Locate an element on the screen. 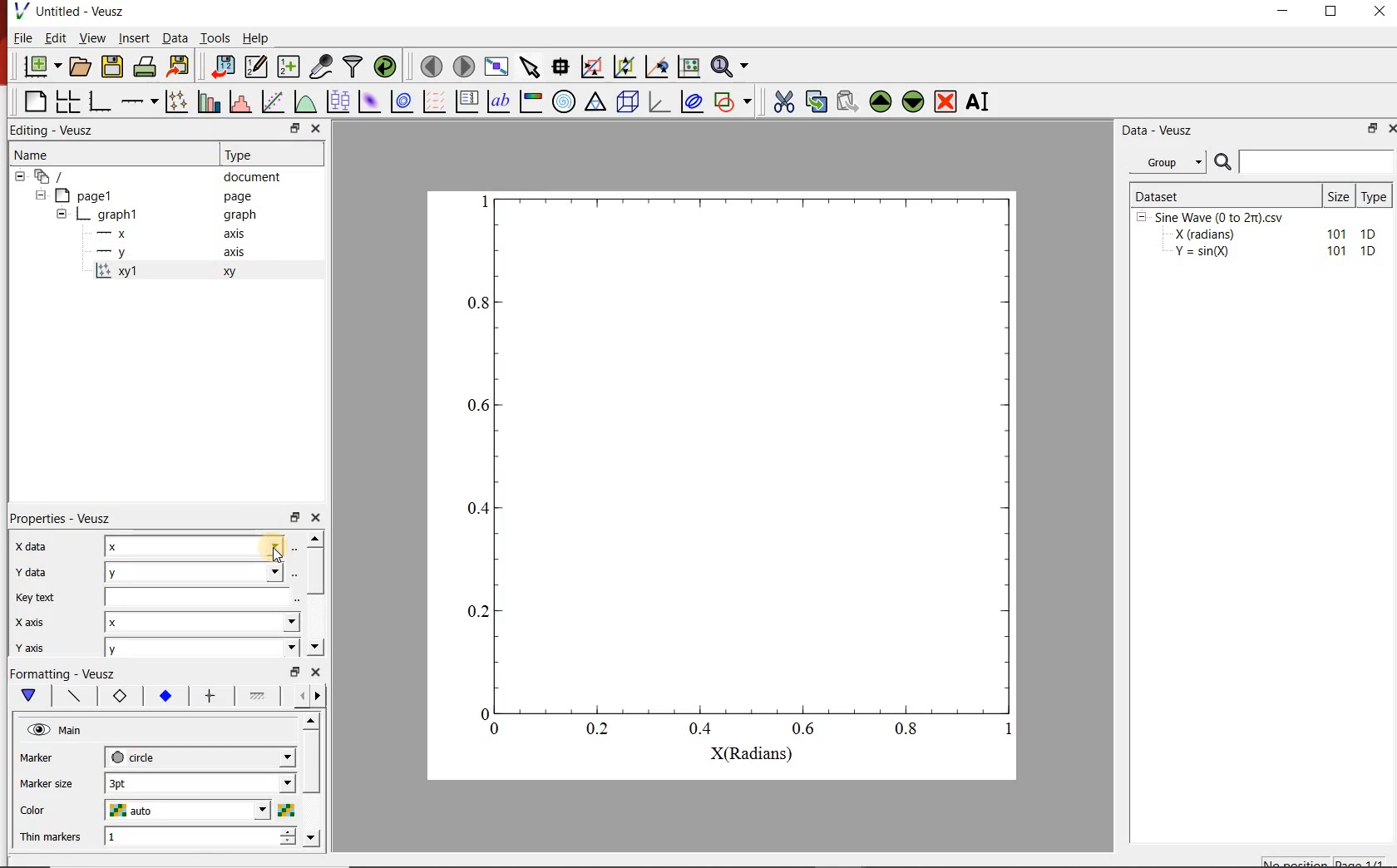 The height and width of the screenshot is (868, 1397). view plot full screen is located at coordinates (496, 66).